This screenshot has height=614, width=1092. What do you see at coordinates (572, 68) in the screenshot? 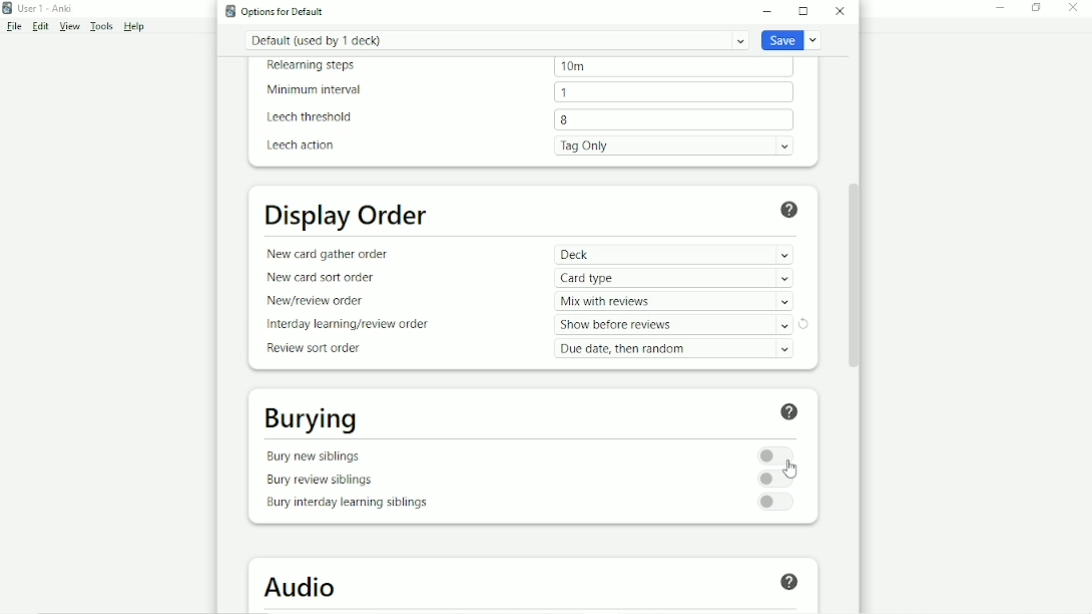
I see `10m` at bounding box center [572, 68].